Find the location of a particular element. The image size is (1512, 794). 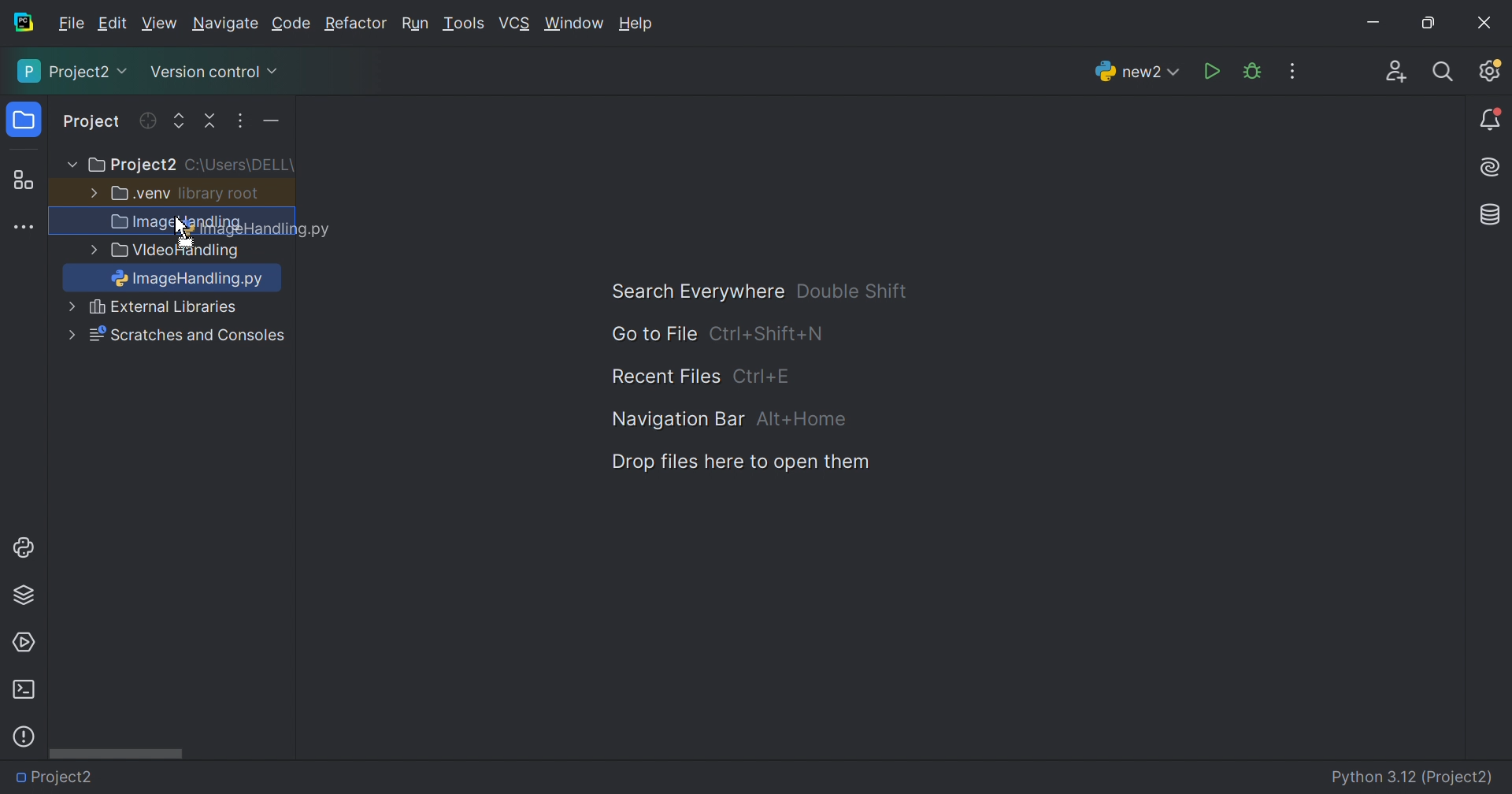

Image Handling is located at coordinates (177, 224).